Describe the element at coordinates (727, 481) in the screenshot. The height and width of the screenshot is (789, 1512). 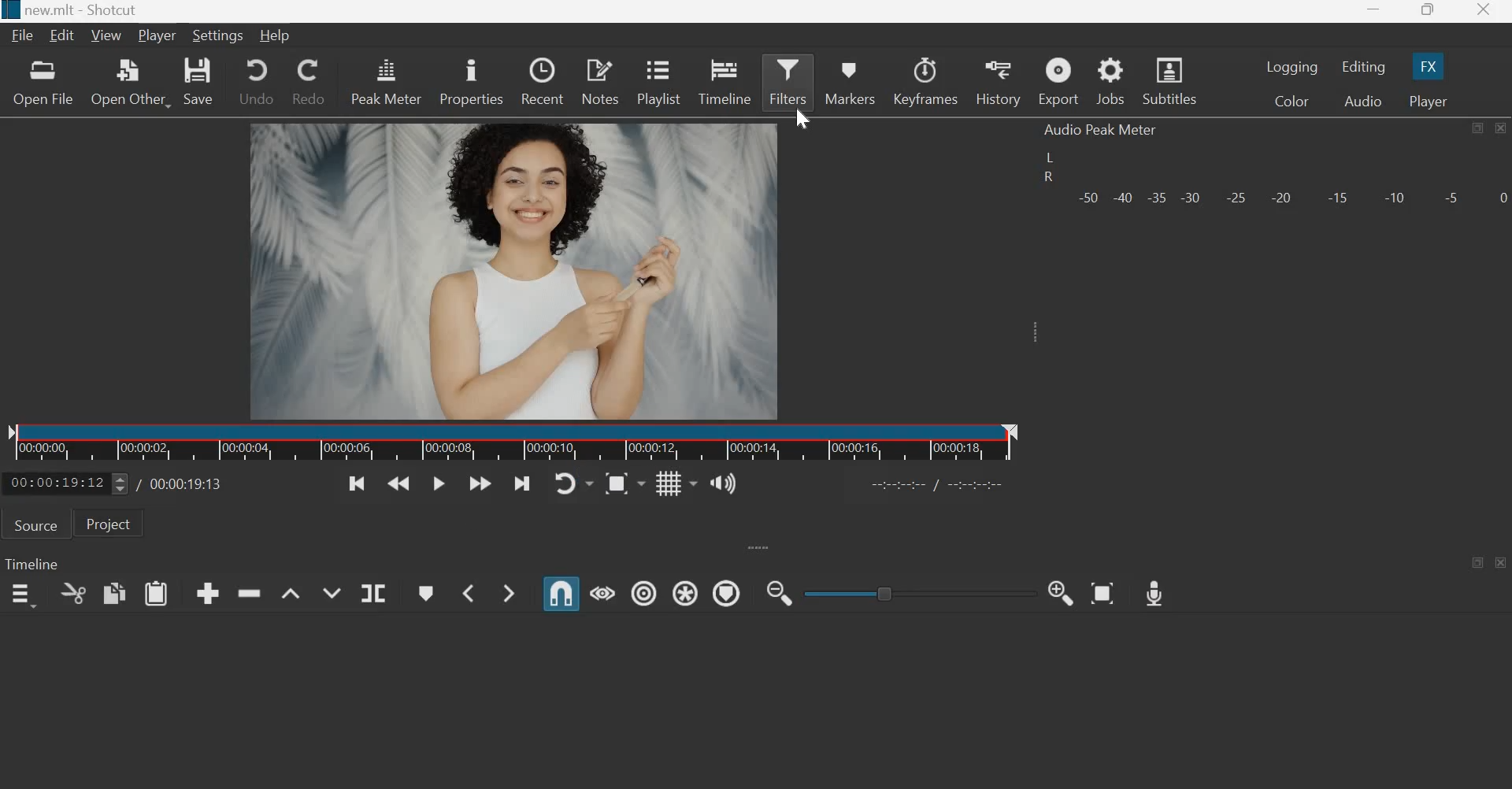
I see `Show the volume control` at that location.